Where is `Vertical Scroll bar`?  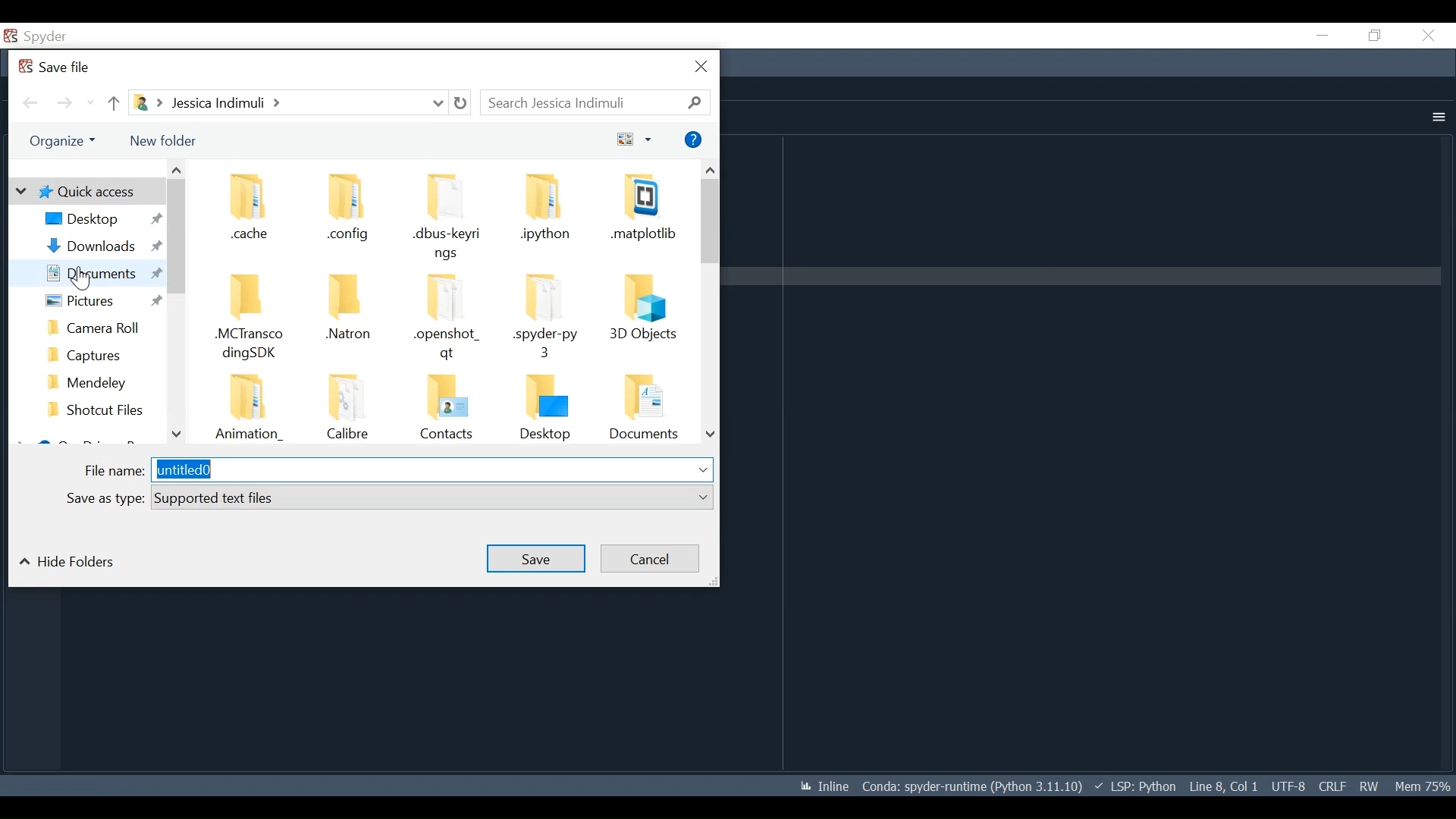 Vertical Scroll bar is located at coordinates (176, 237).